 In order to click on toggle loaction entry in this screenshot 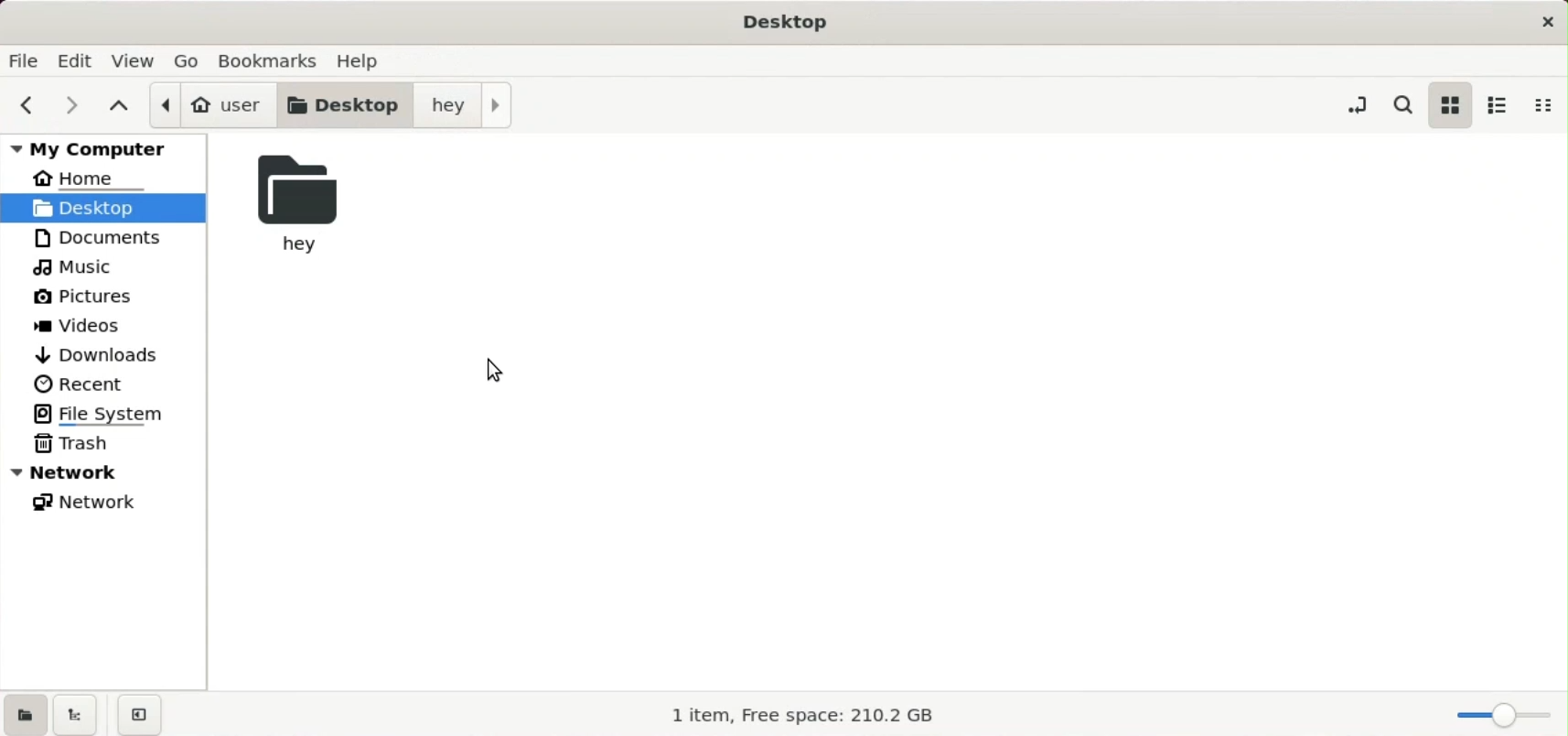, I will do `click(1355, 105)`.